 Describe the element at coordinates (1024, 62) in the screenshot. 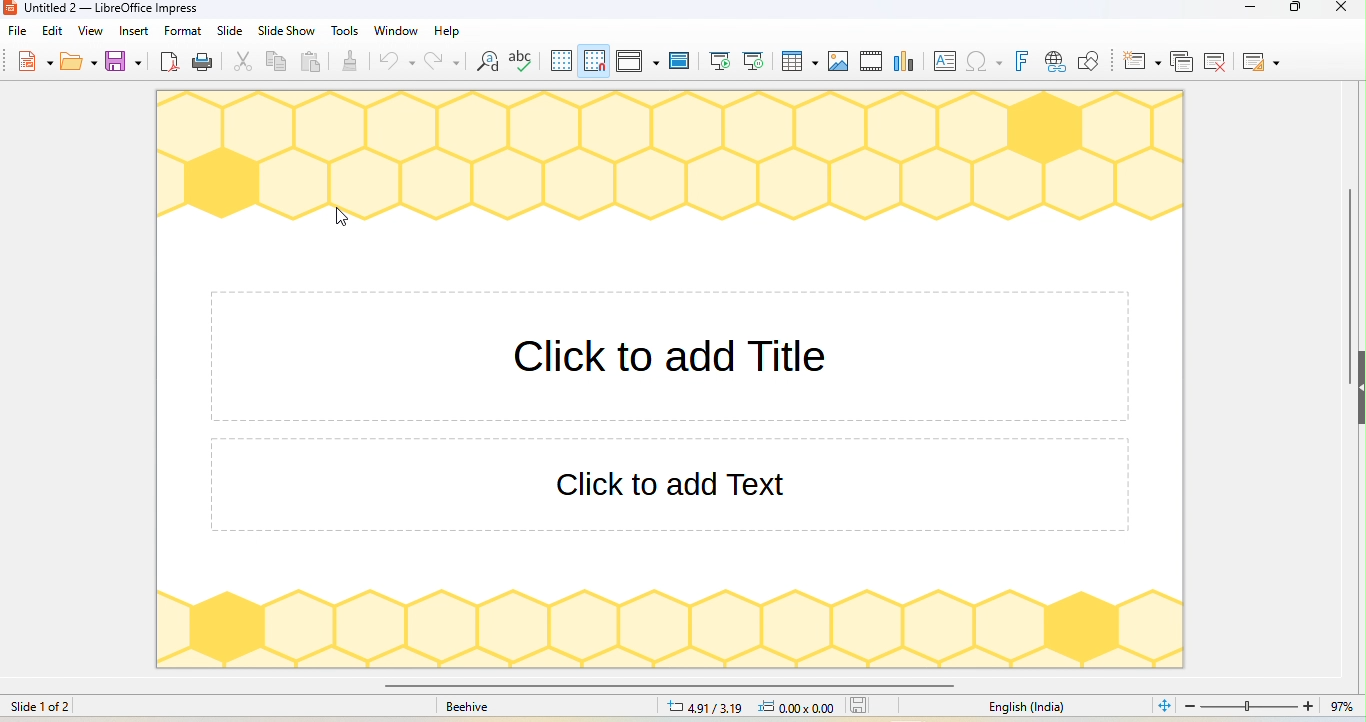

I see `fontwork text` at that location.